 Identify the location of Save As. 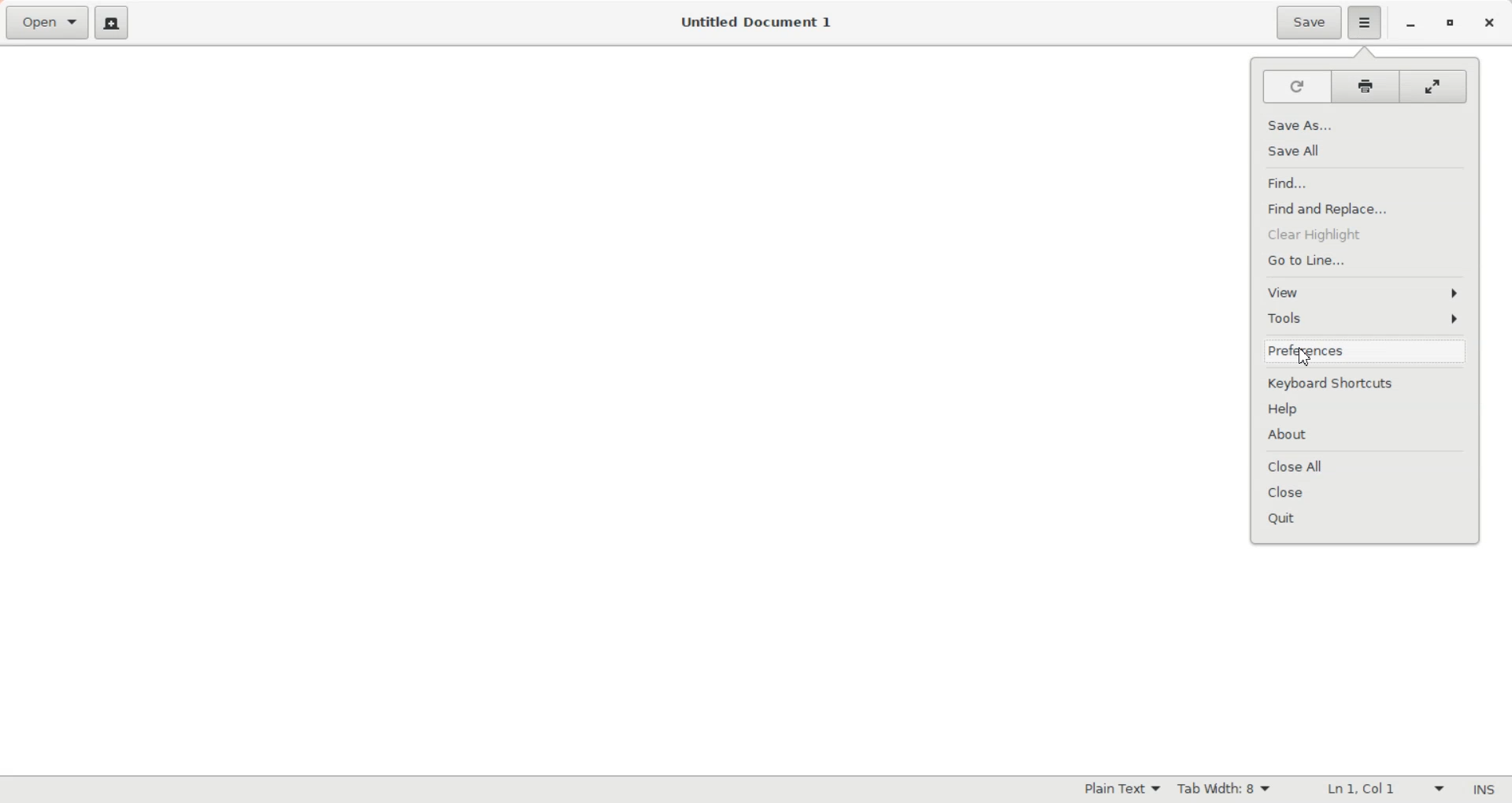
(1365, 126).